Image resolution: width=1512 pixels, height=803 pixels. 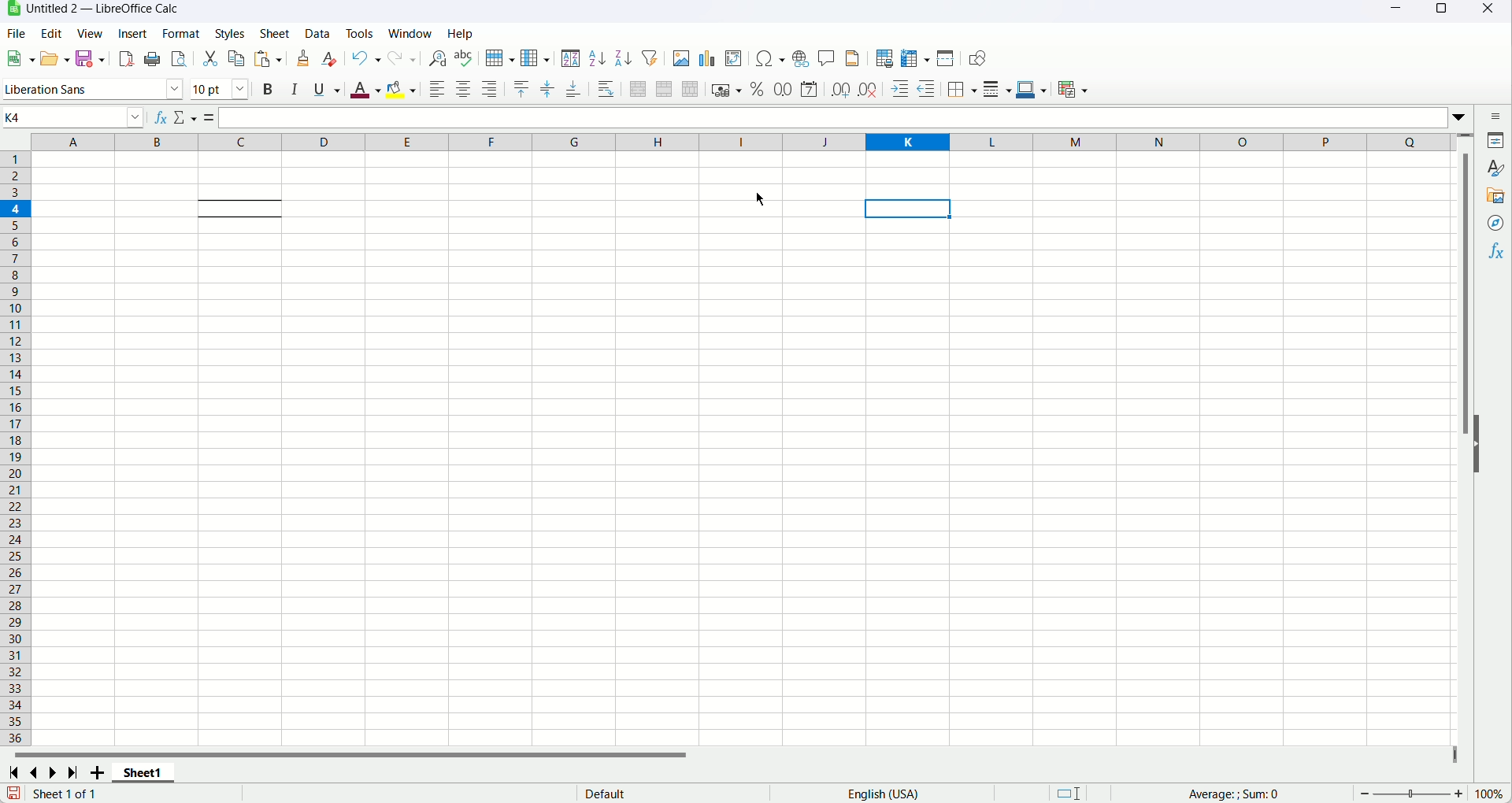 I want to click on Styles, so click(x=1495, y=168).